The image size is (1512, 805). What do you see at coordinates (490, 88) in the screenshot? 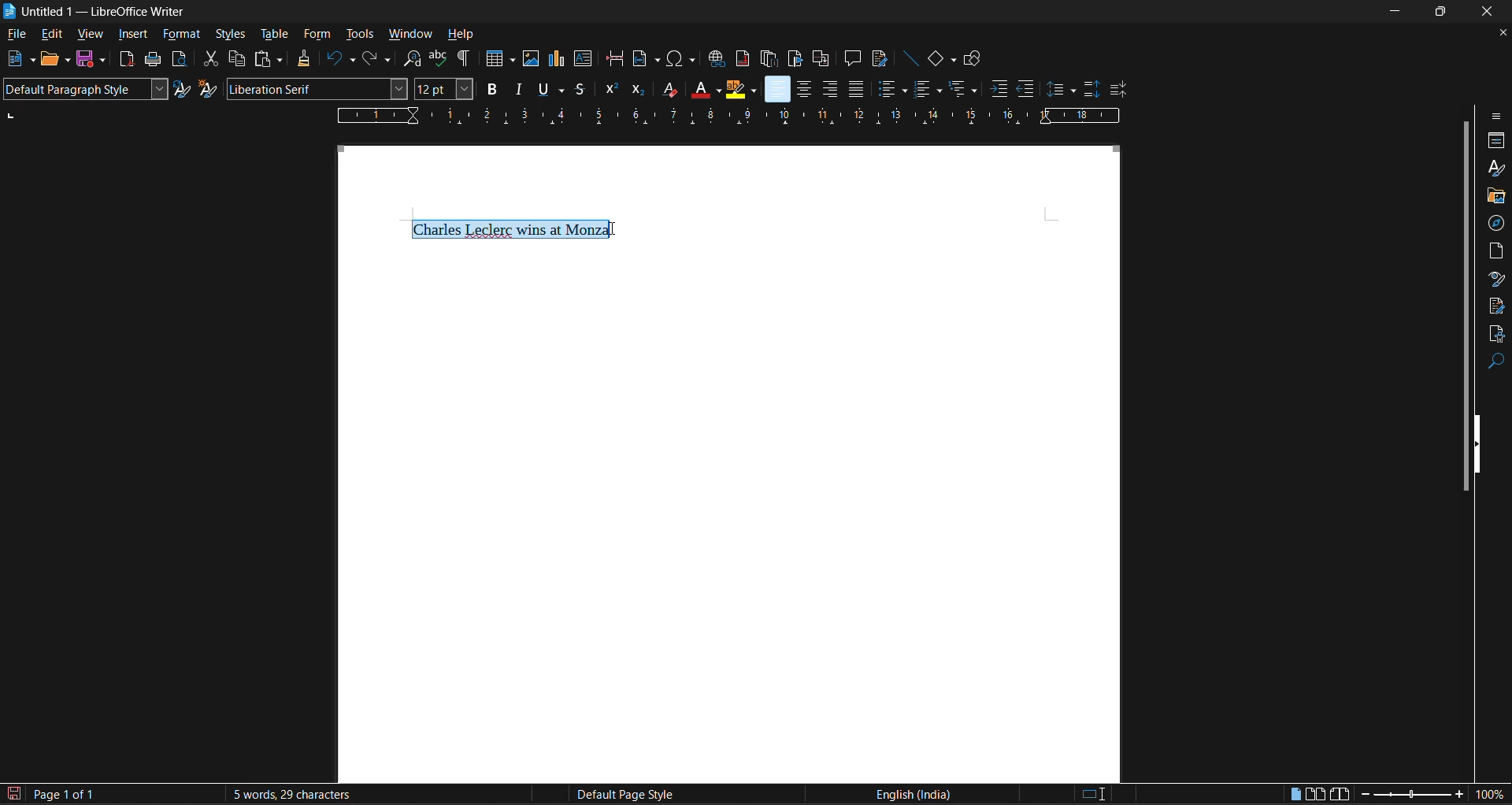
I see `bold` at bounding box center [490, 88].